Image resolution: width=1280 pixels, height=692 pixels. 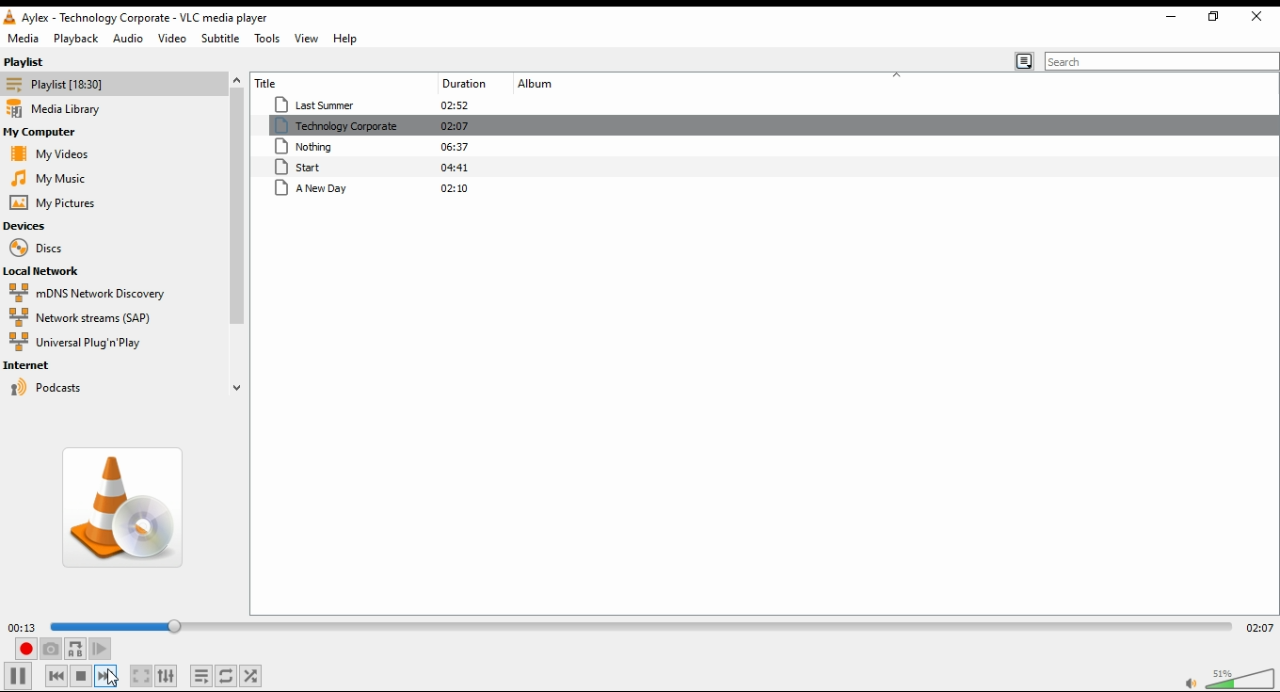 I want to click on close window, so click(x=1257, y=17).